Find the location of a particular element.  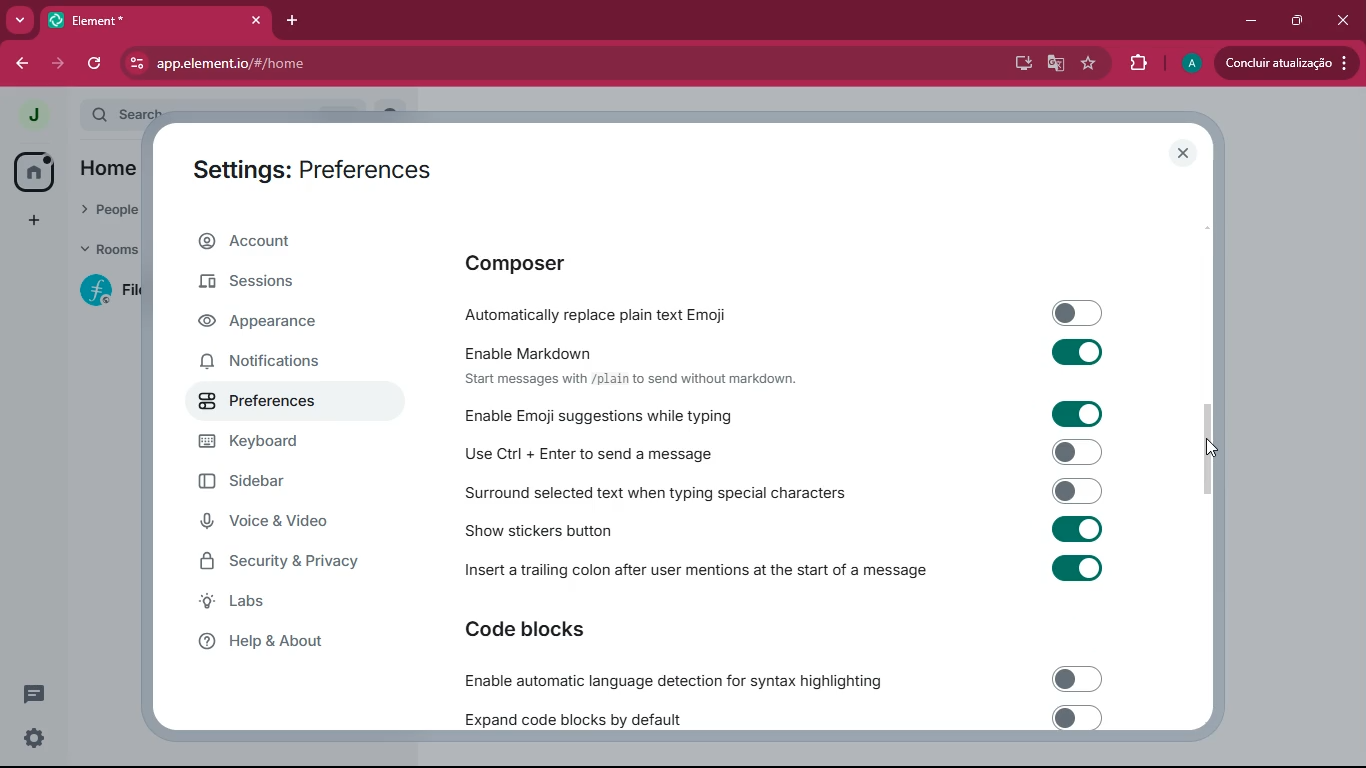

cursor is located at coordinates (1216, 447).